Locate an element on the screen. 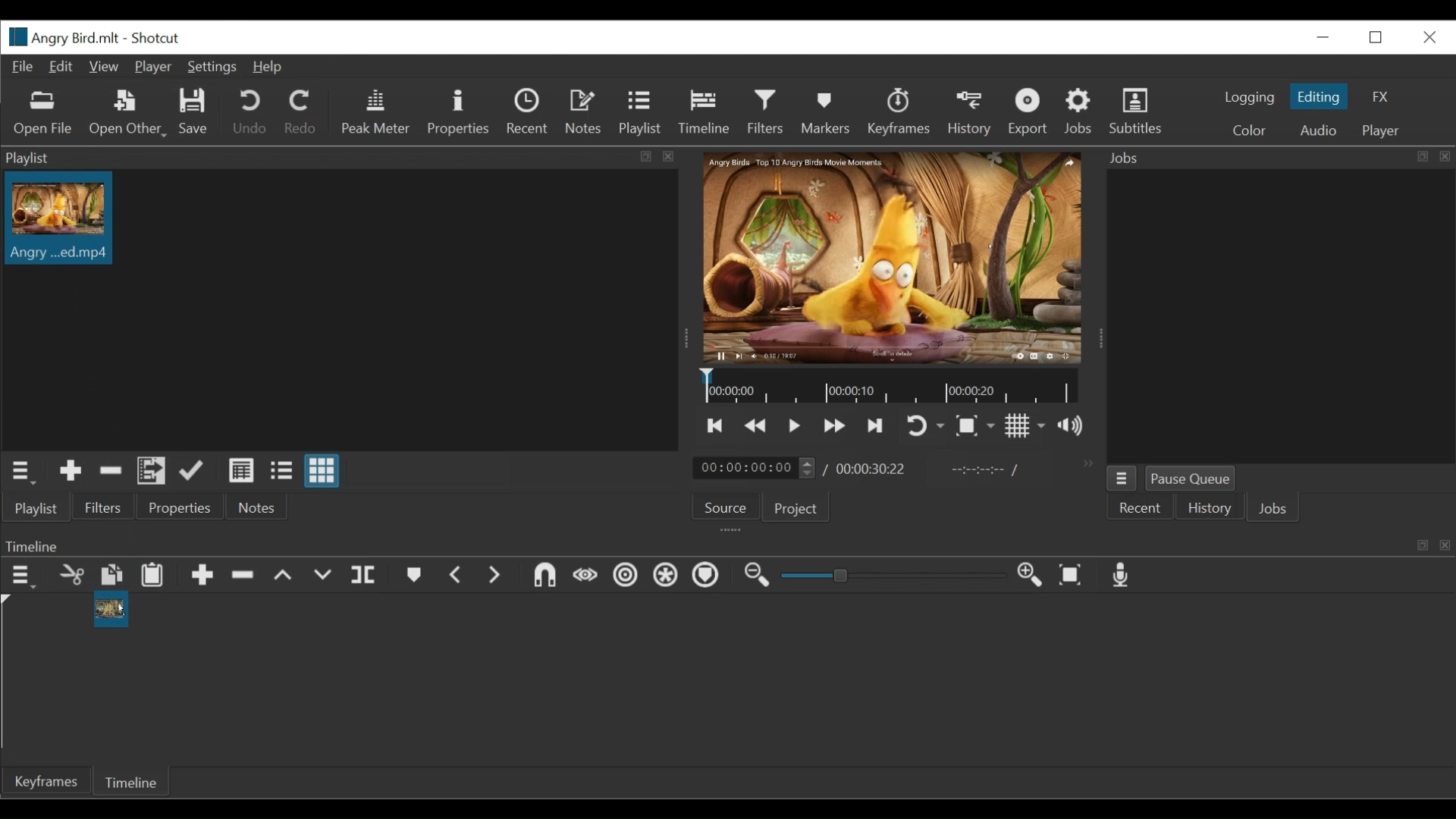 The image size is (1456, 819). Export is located at coordinates (1030, 111).